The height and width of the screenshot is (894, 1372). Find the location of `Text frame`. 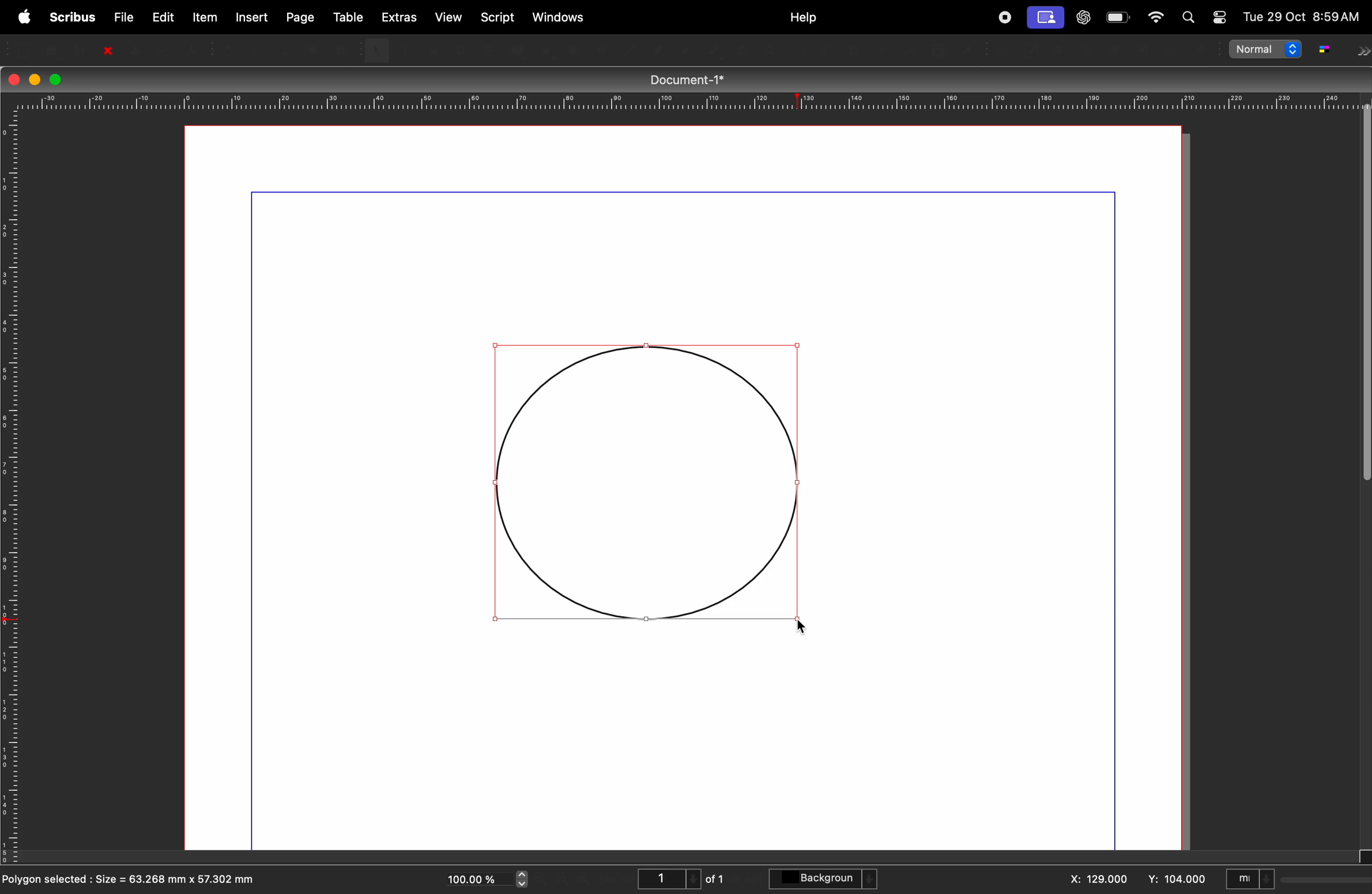

Text frame is located at coordinates (404, 48).